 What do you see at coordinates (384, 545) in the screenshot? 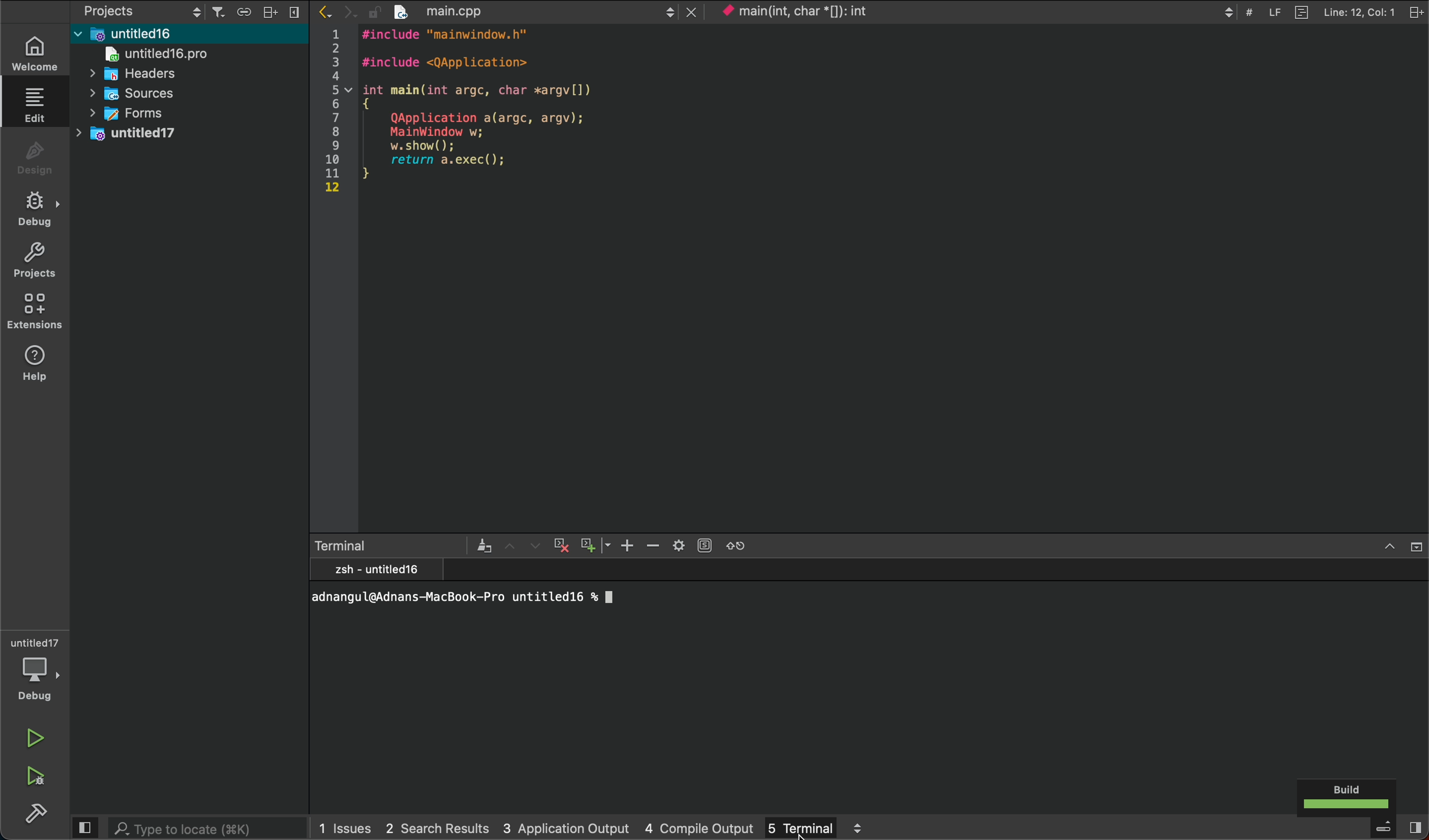
I see `terminal` at bounding box center [384, 545].